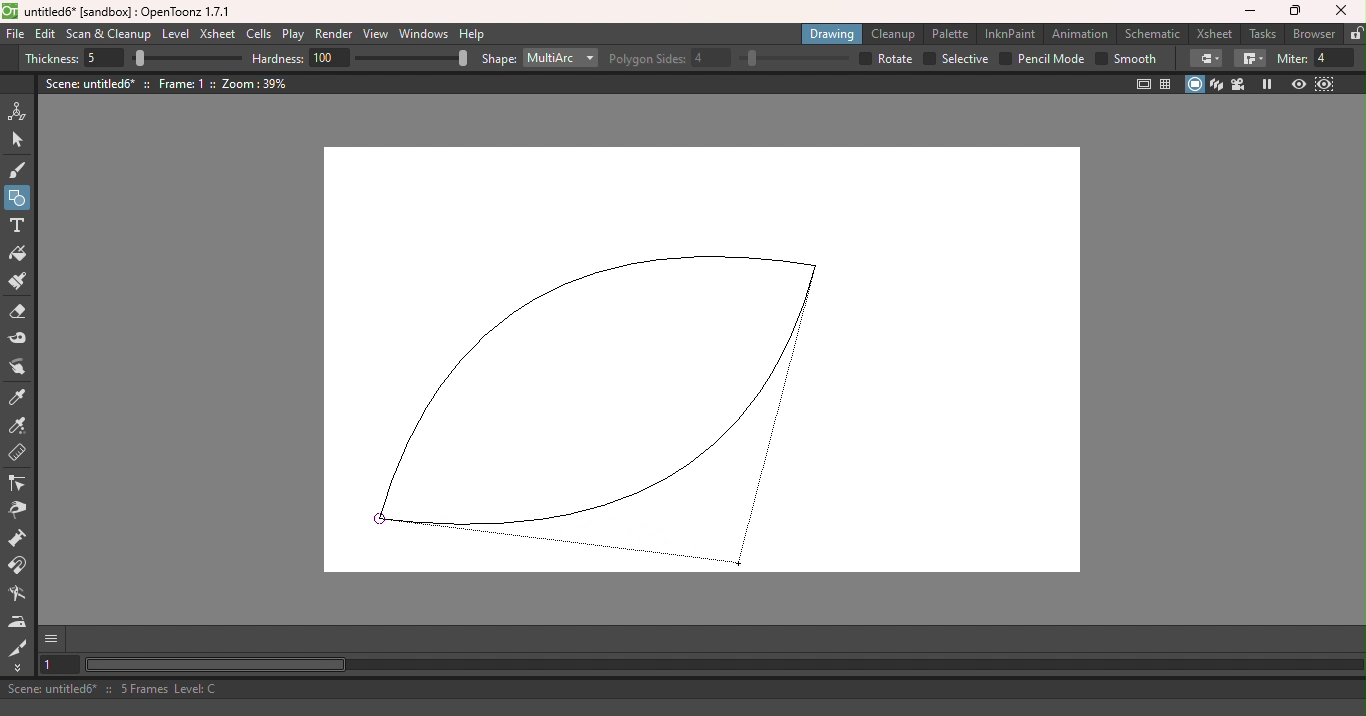  I want to click on Scene: untitled6* :: Frame: 1 :: Zoom: 39%, so click(167, 83).